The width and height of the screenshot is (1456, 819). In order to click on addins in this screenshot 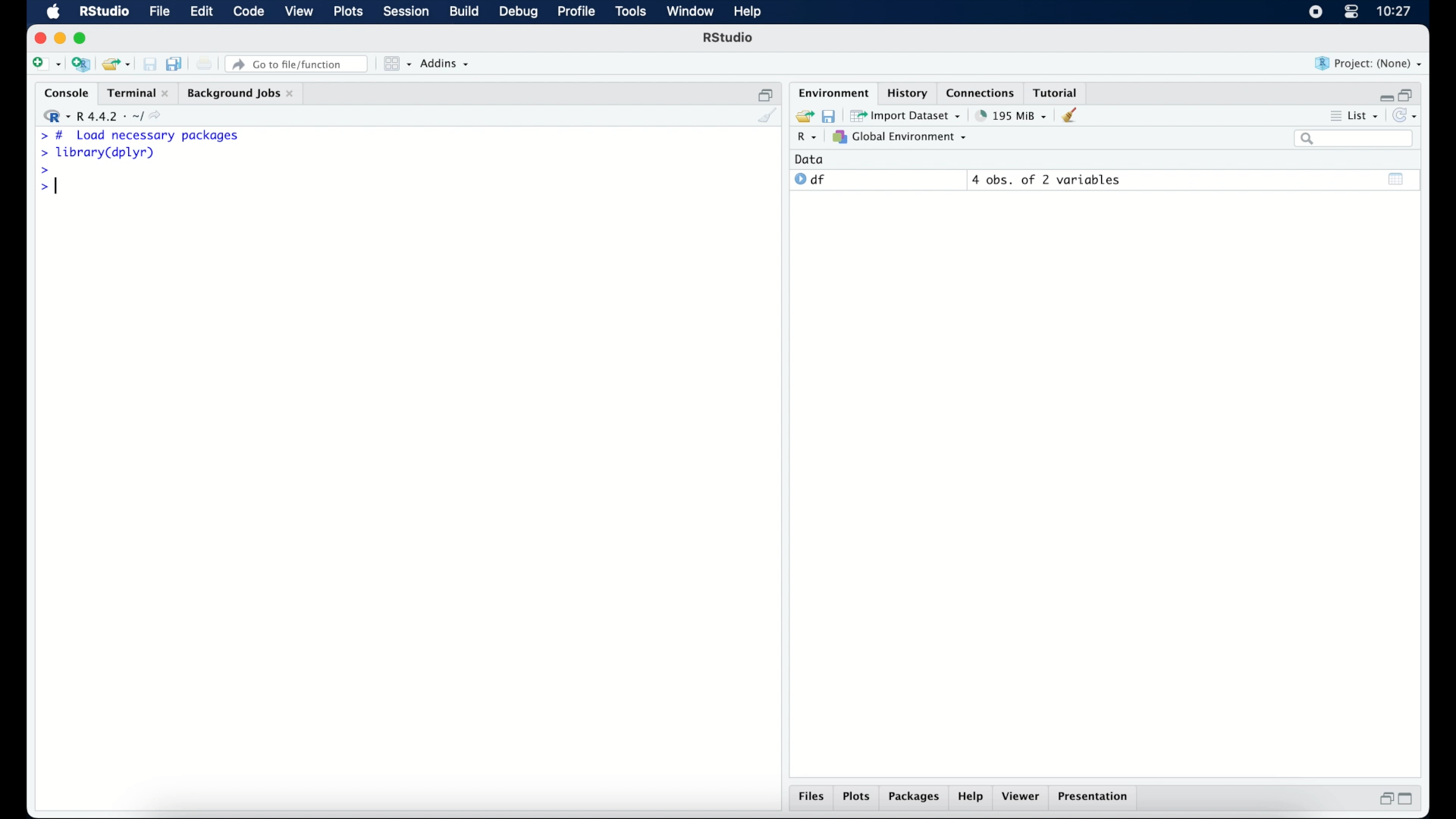, I will do `click(445, 64)`.